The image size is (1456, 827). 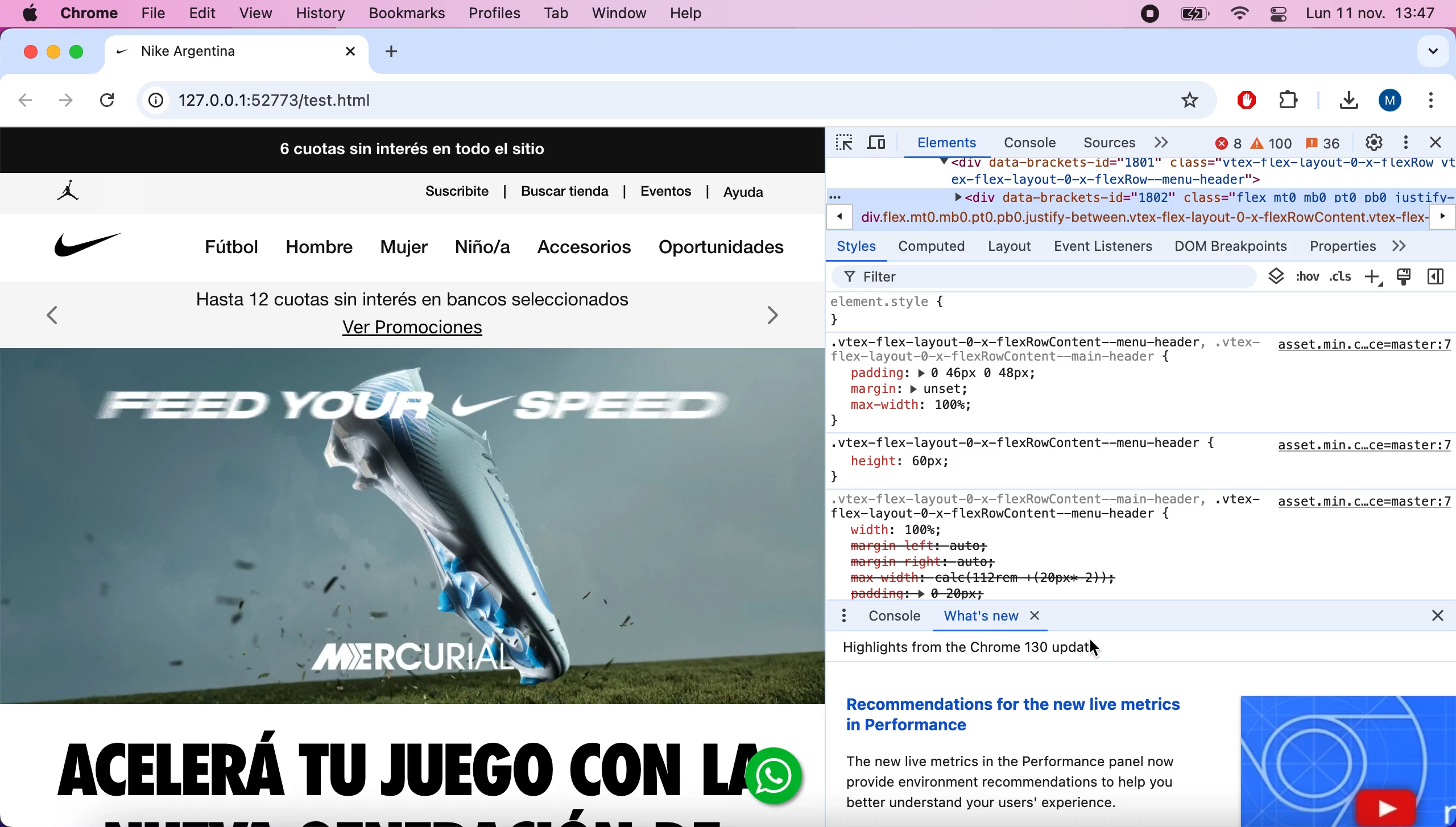 I want to click on errors and wanings, so click(x=1276, y=143).